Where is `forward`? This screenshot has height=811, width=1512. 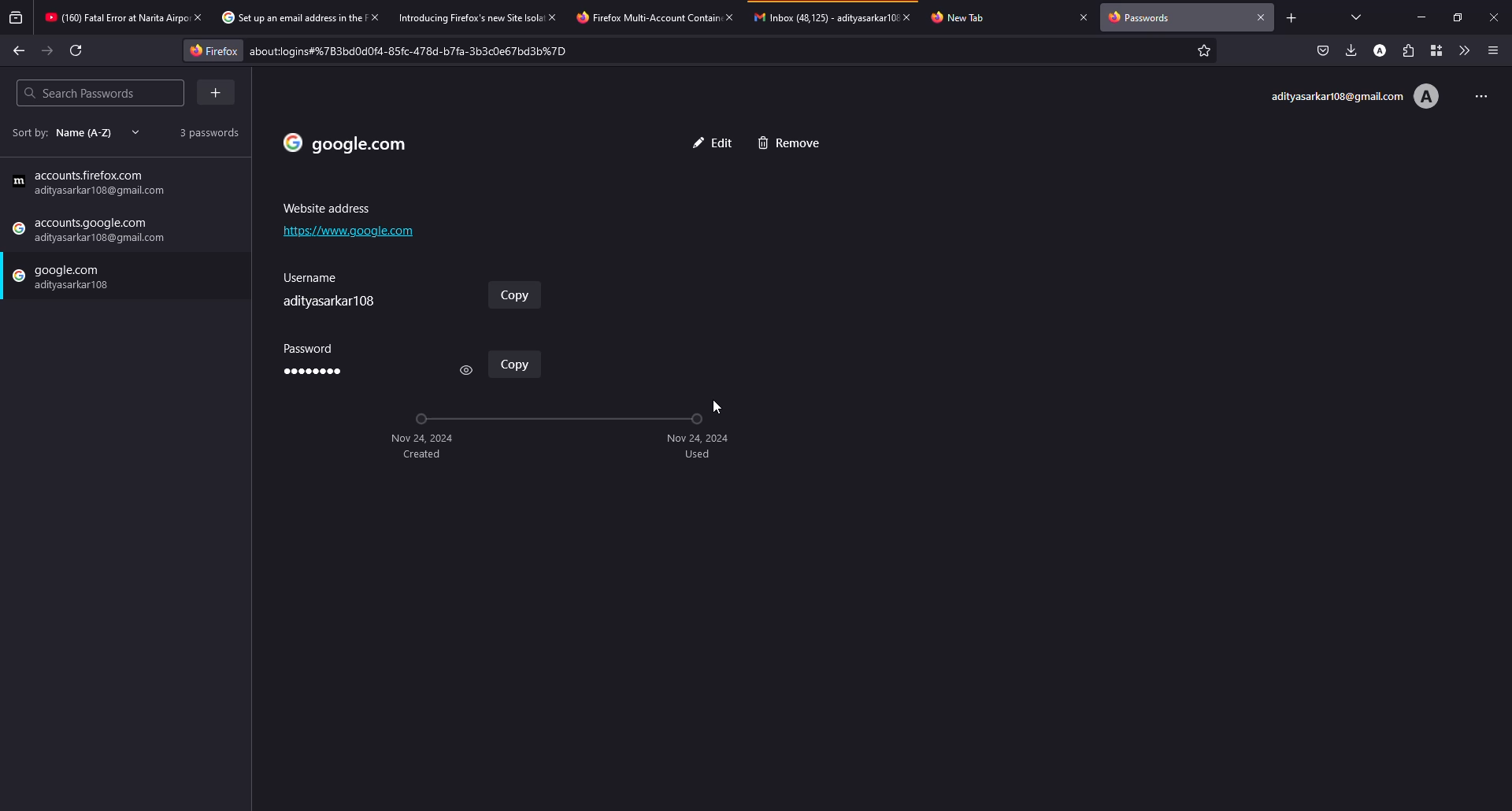 forward is located at coordinates (48, 51).